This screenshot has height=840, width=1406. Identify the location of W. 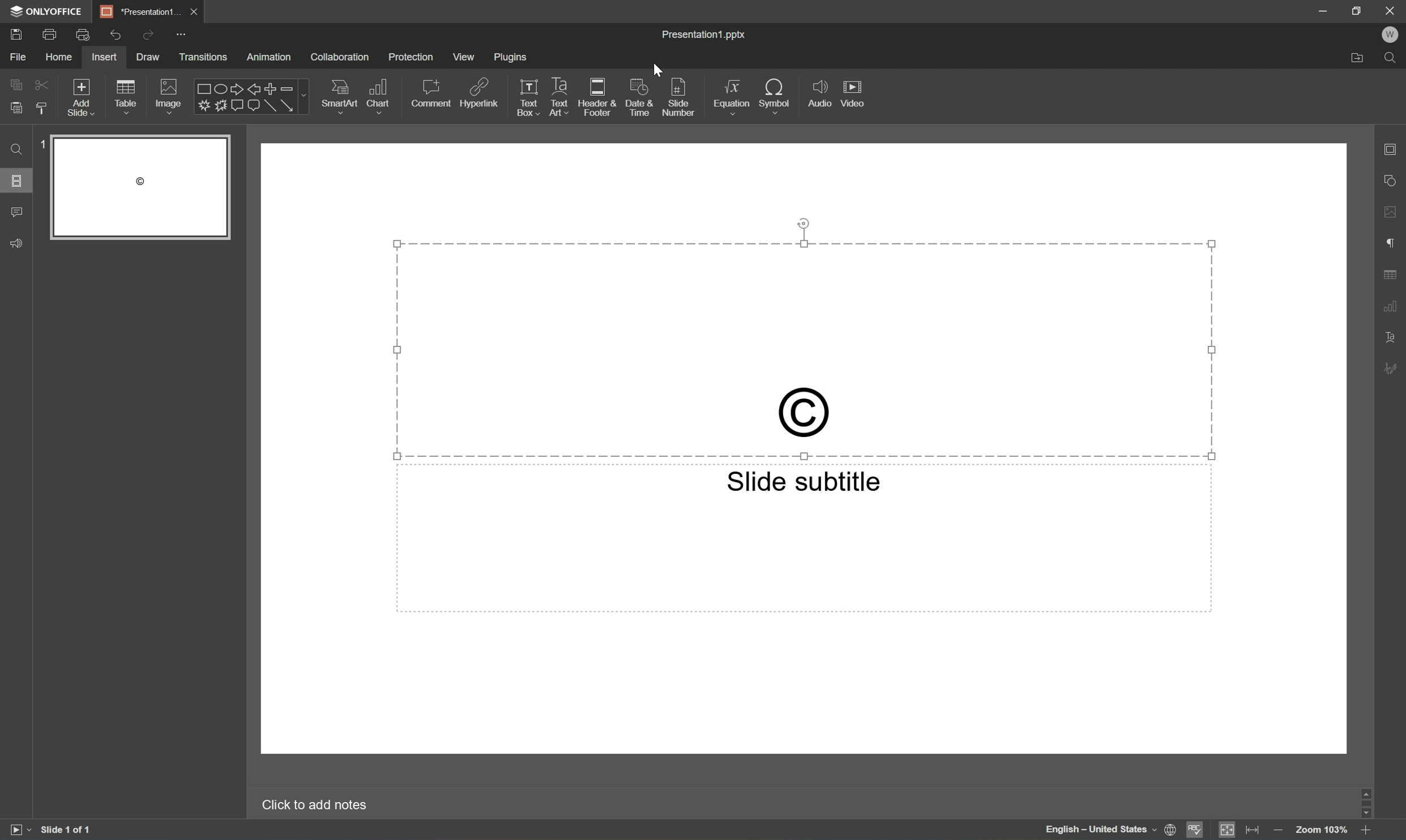
(1393, 33).